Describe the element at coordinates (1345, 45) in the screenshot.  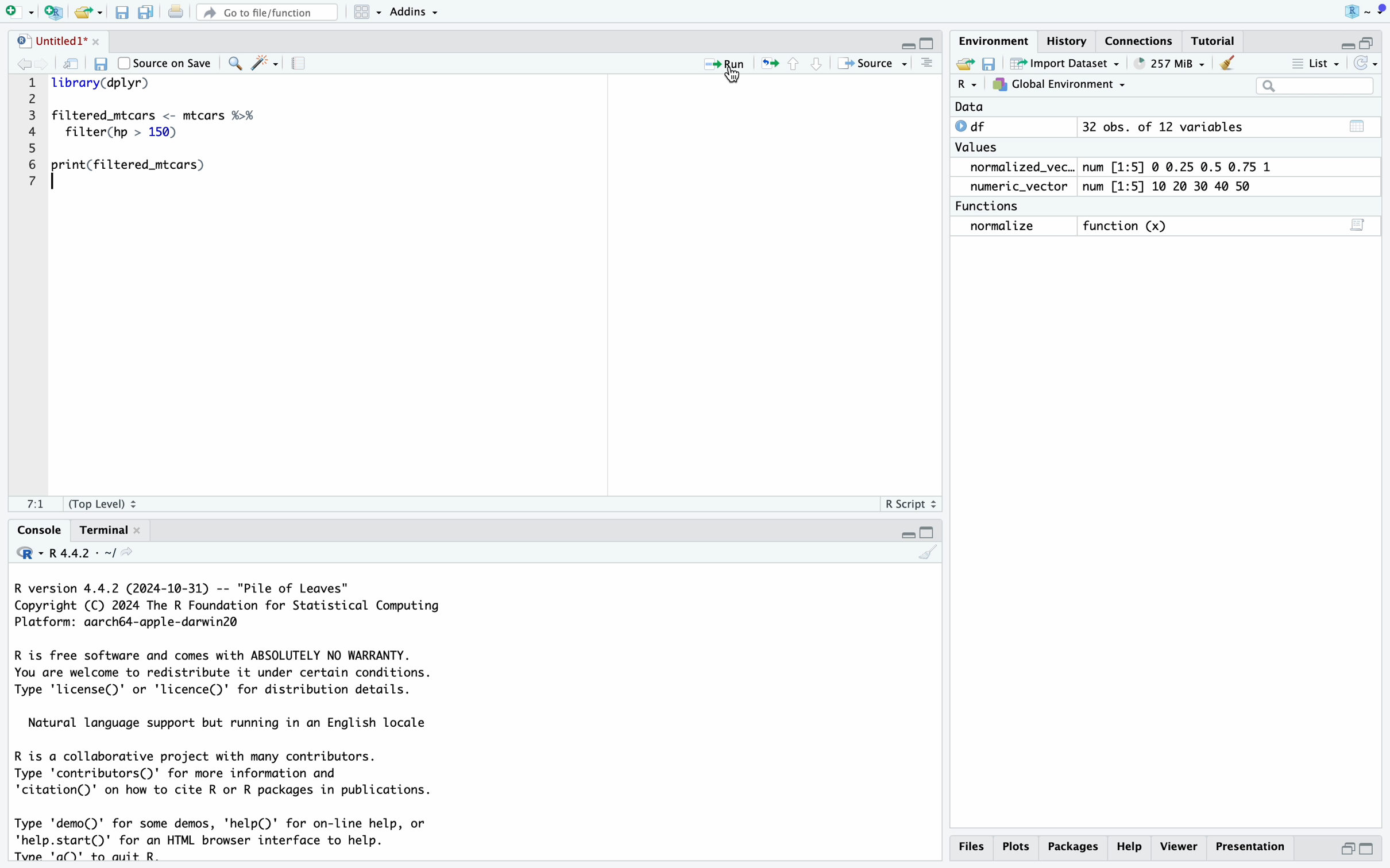
I see `minimize` at that location.